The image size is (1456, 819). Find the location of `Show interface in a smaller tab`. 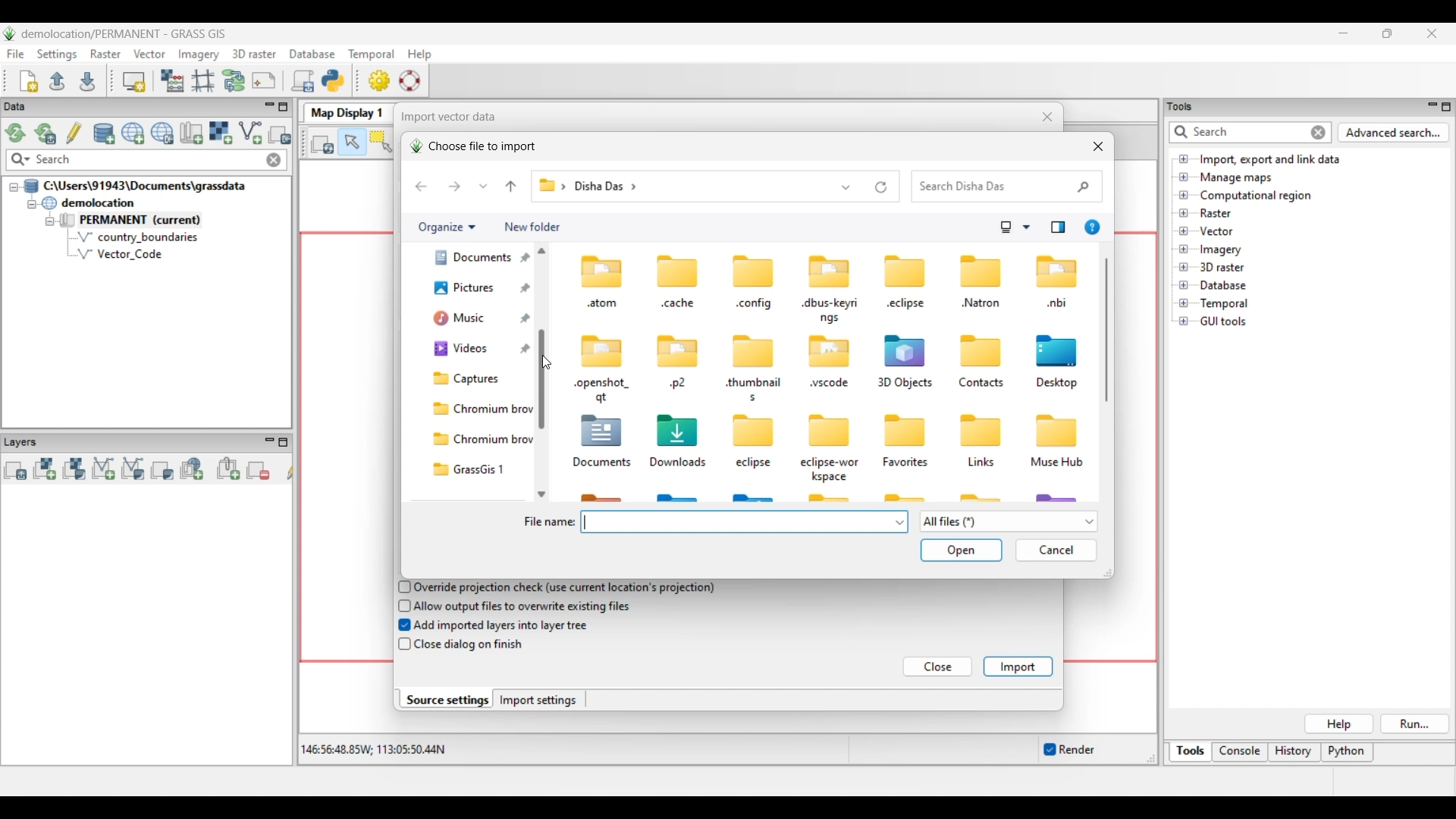

Show interface in a smaller tab is located at coordinates (1387, 33).